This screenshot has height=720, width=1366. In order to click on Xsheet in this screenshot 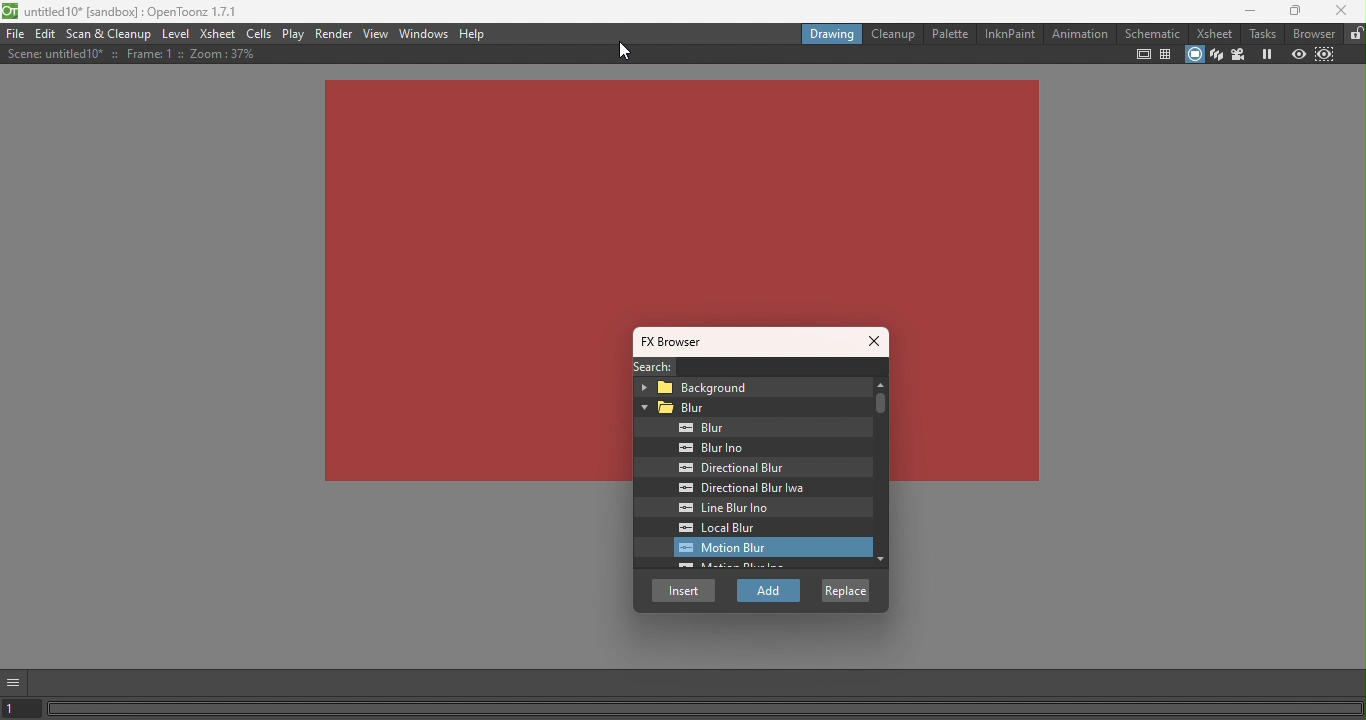, I will do `click(1211, 32)`.